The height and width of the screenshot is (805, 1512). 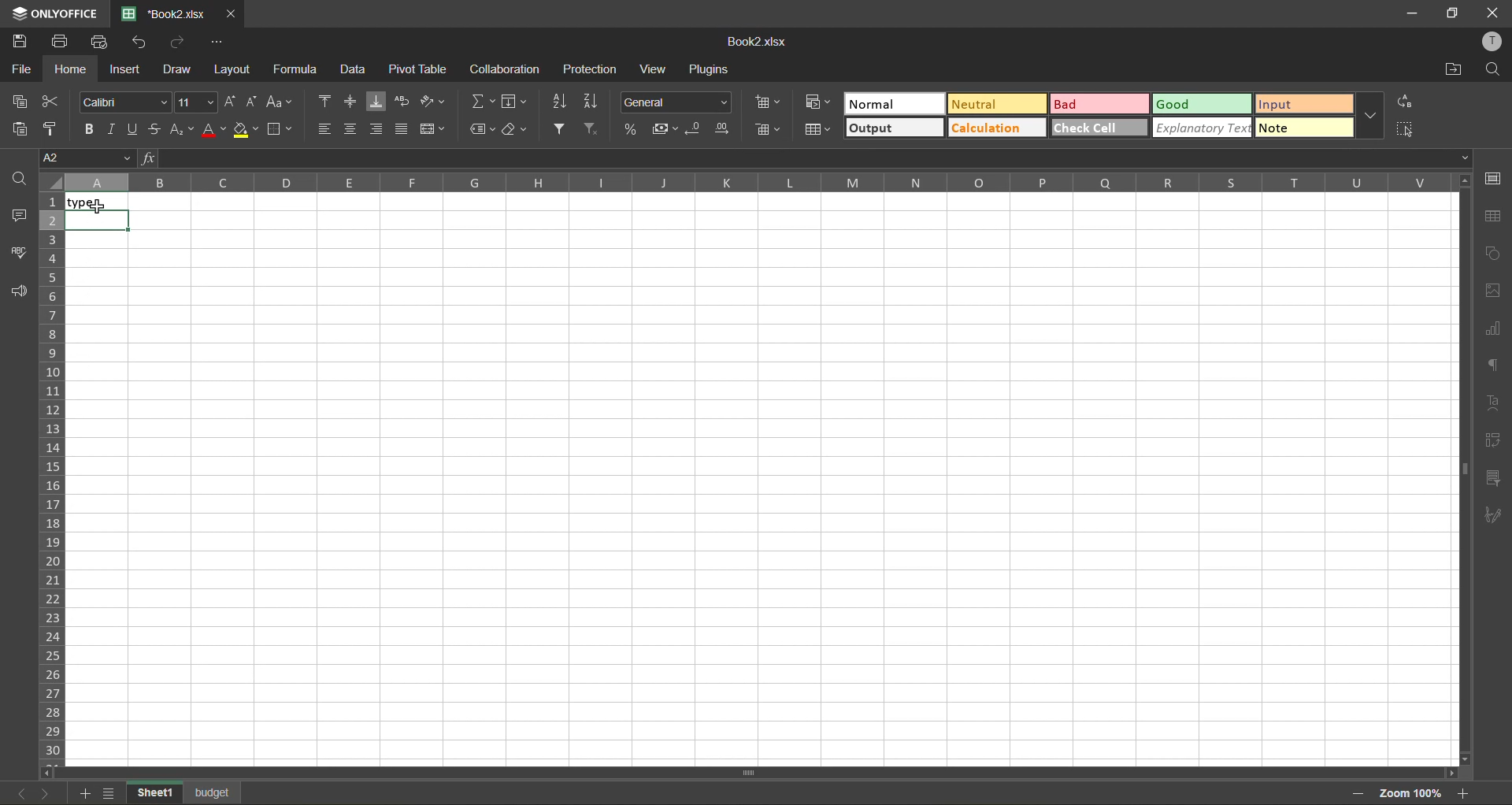 I want to click on paragraph, so click(x=1496, y=366).